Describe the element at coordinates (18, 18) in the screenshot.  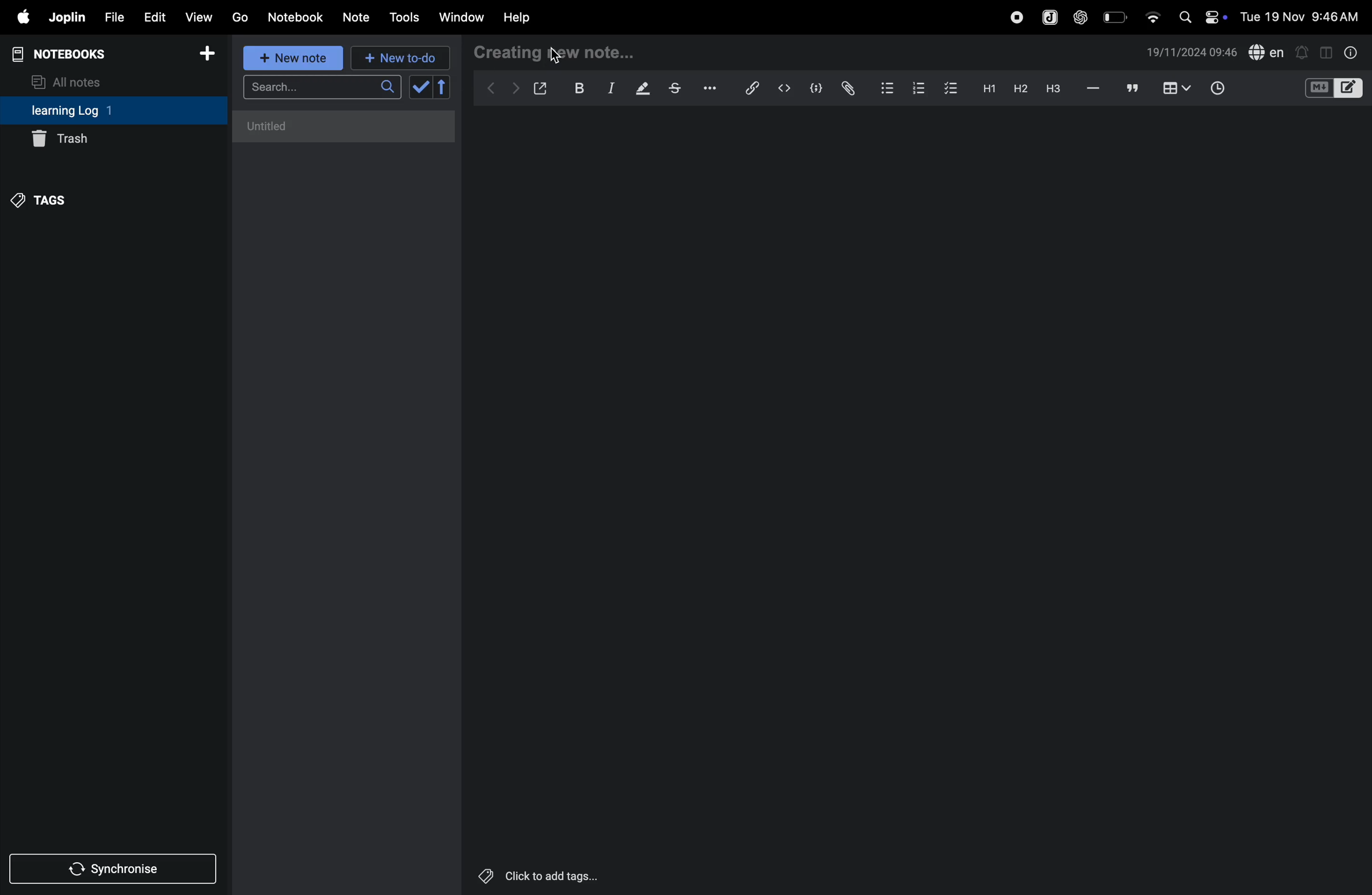
I see `apple menu` at that location.